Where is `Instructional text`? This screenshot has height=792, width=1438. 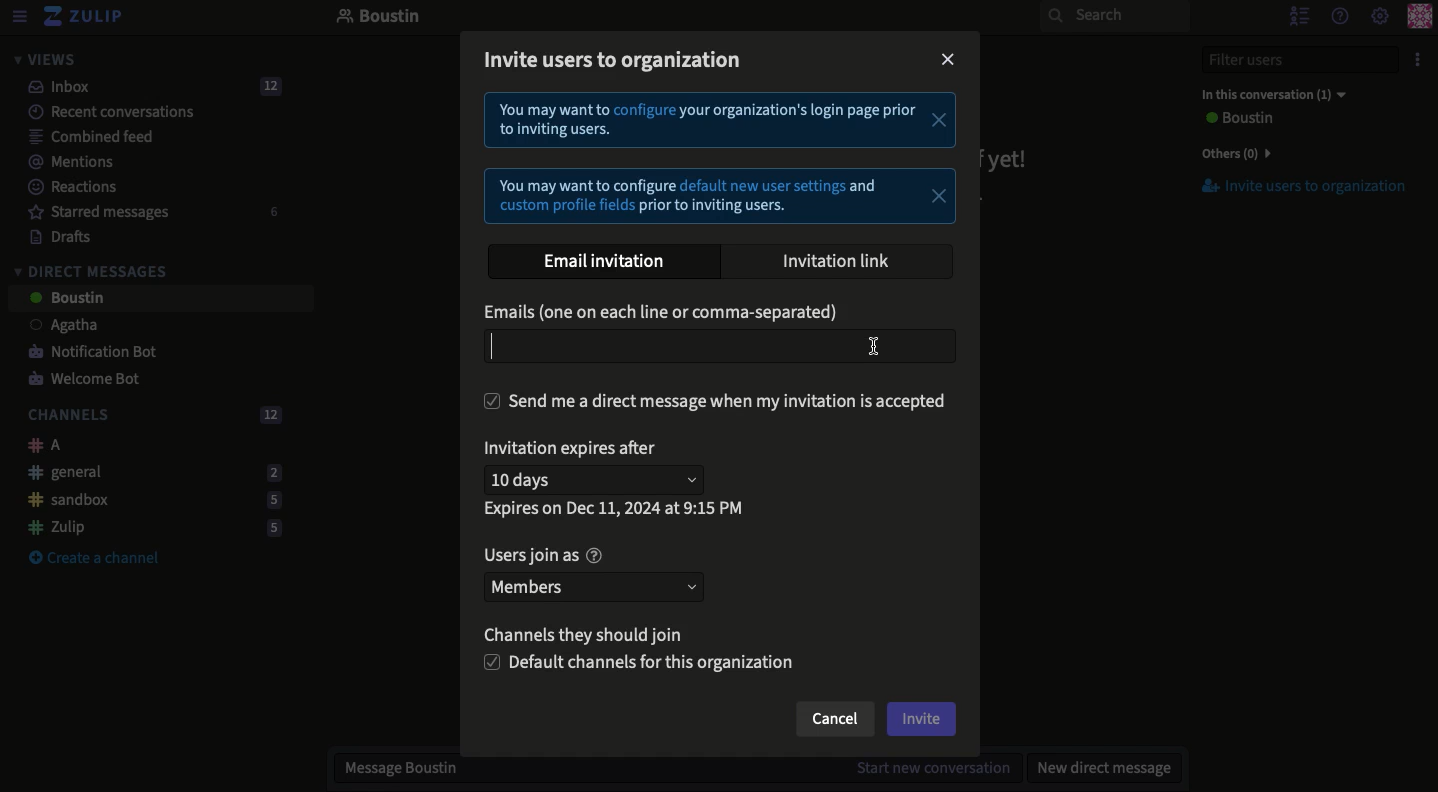 Instructional text is located at coordinates (716, 159).